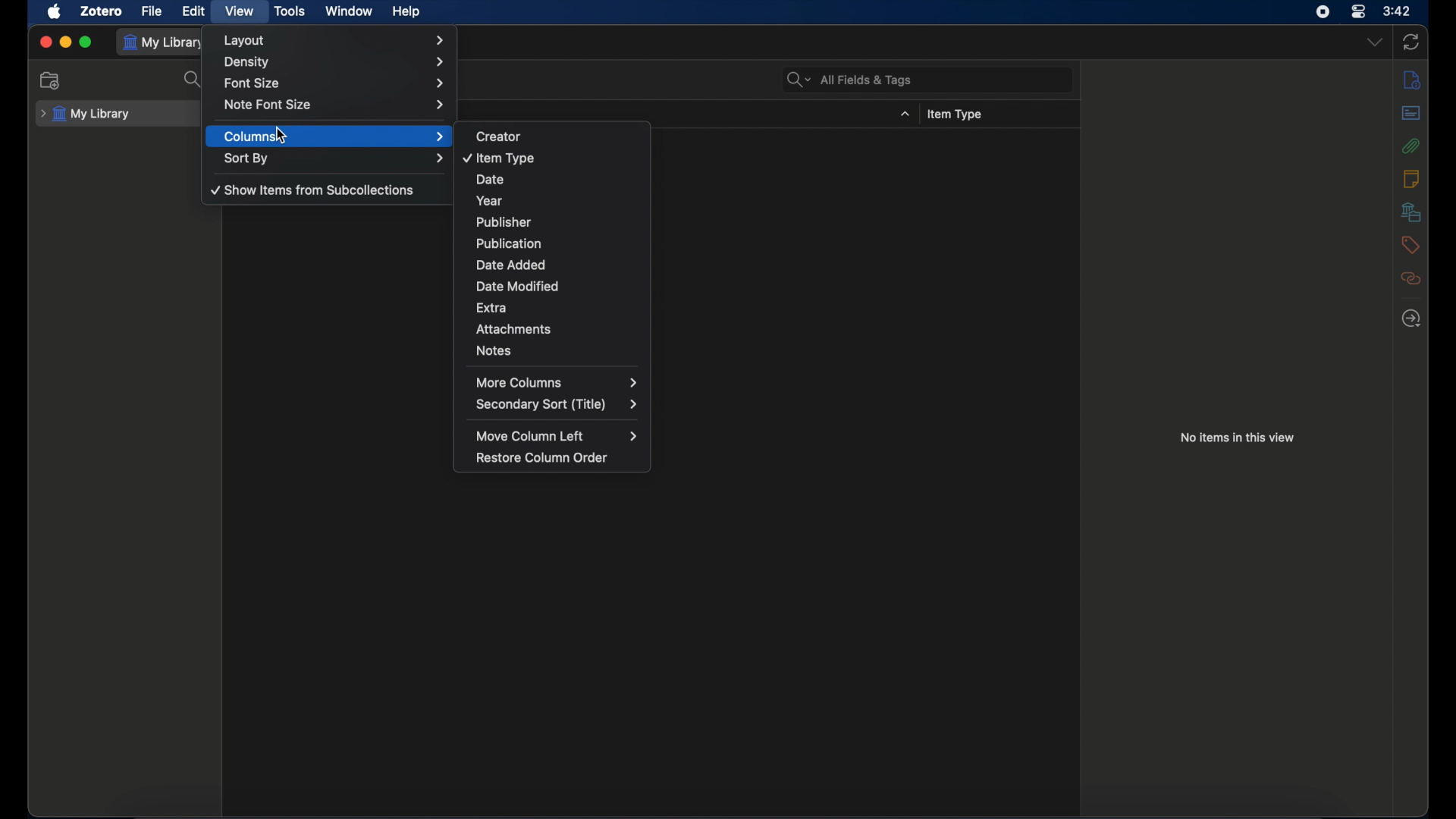 The image size is (1456, 819). I want to click on notes, so click(1411, 179).